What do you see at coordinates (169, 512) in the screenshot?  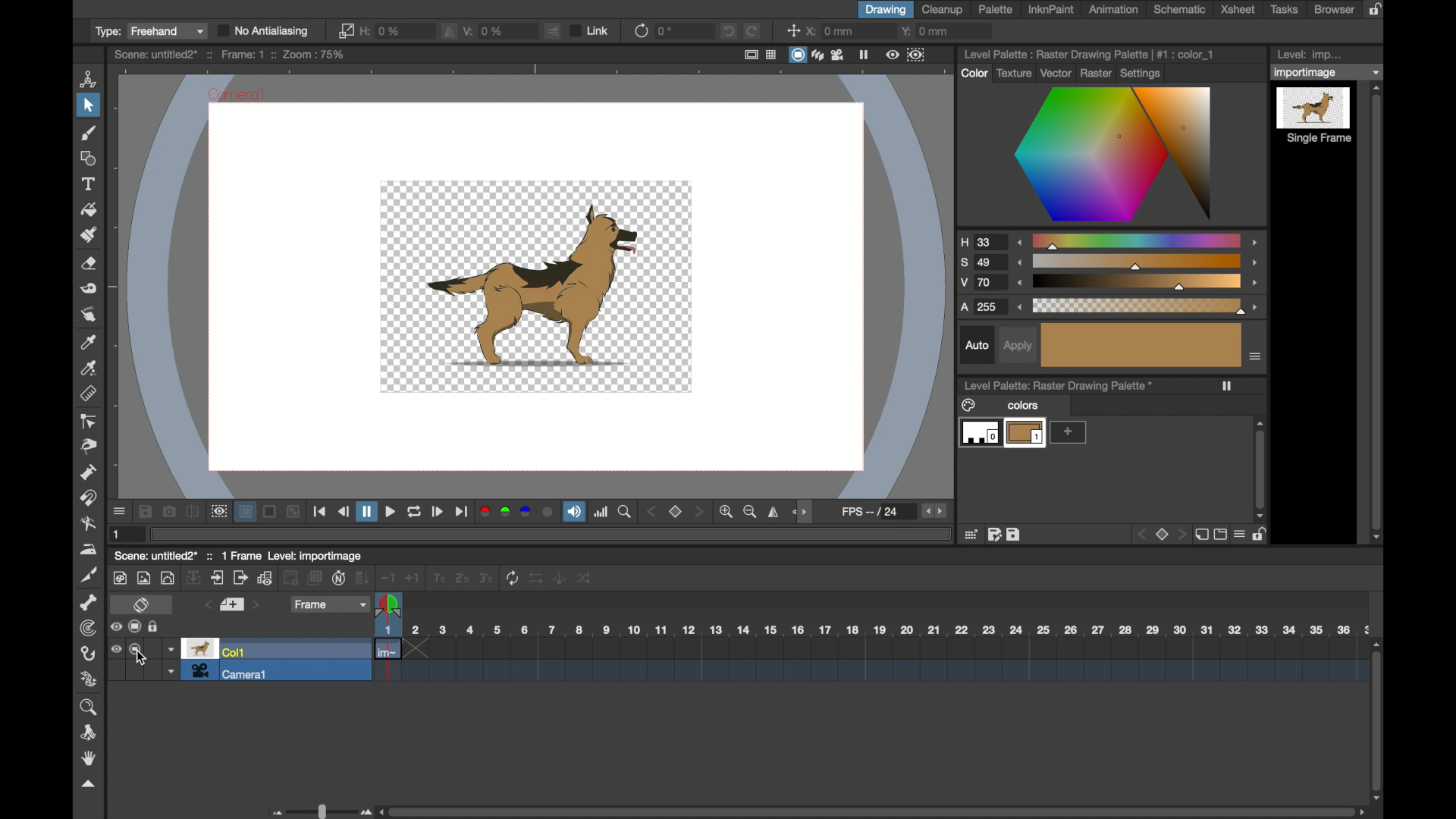 I see `snapshot` at bounding box center [169, 512].